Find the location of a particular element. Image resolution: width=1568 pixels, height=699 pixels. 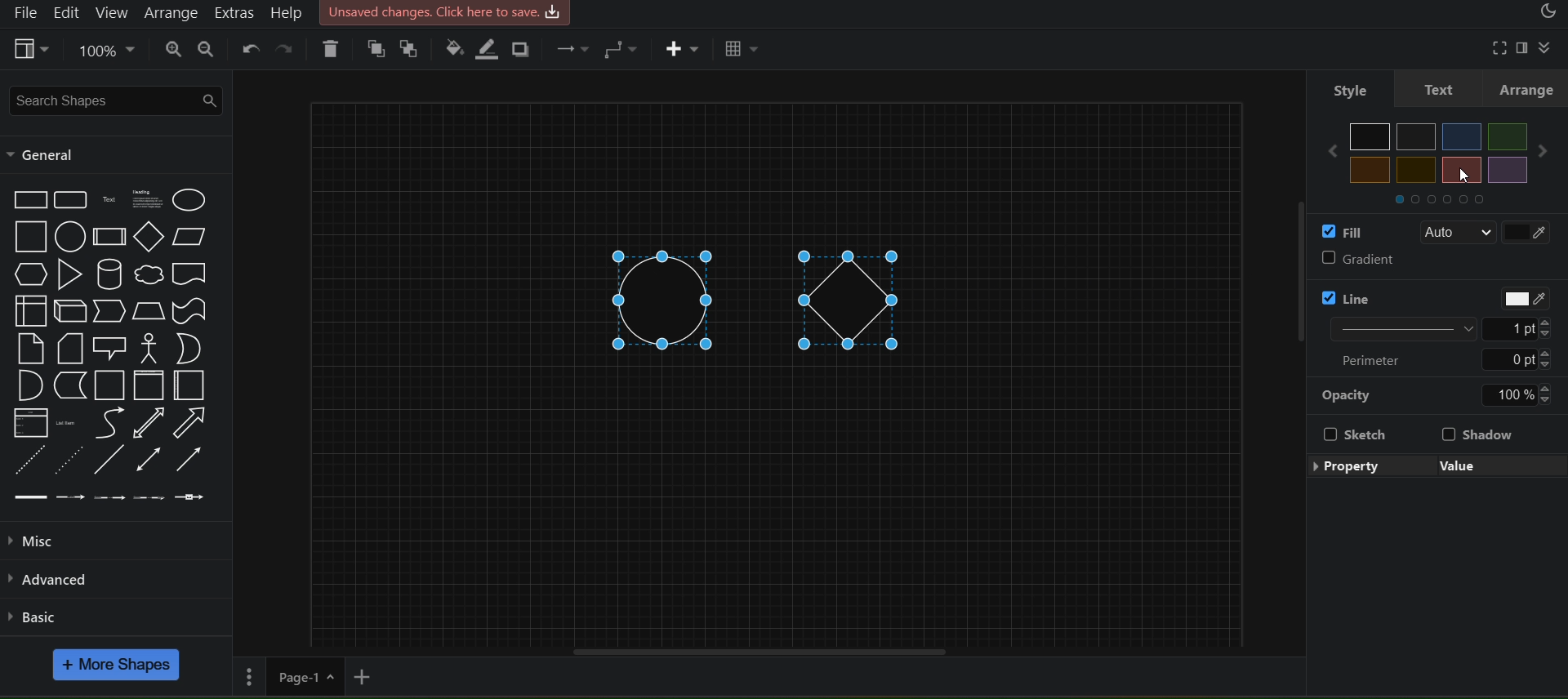

Internal Storage is located at coordinates (30, 310).